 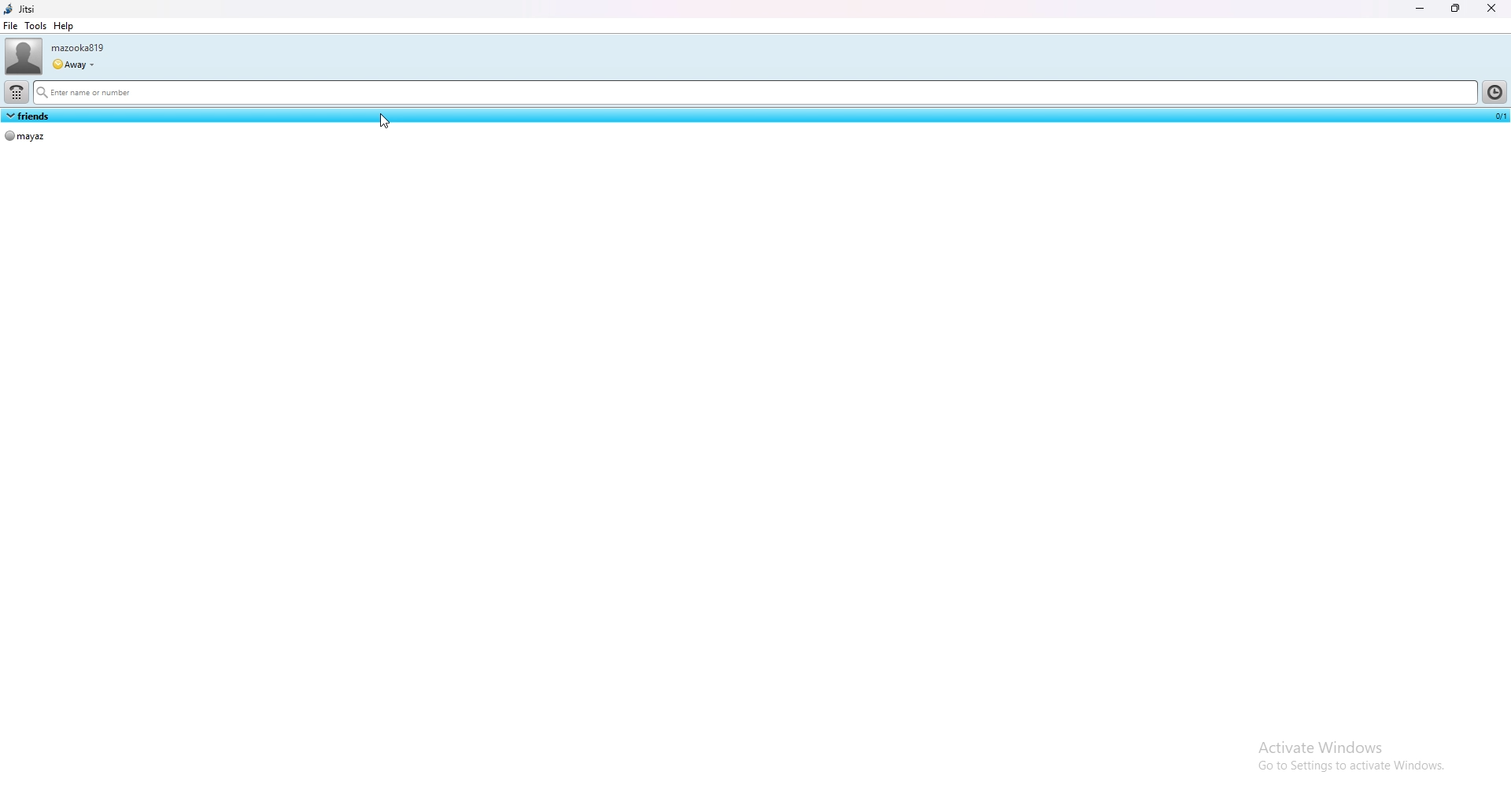 What do you see at coordinates (1420, 9) in the screenshot?
I see `minimize` at bounding box center [1420, 9].